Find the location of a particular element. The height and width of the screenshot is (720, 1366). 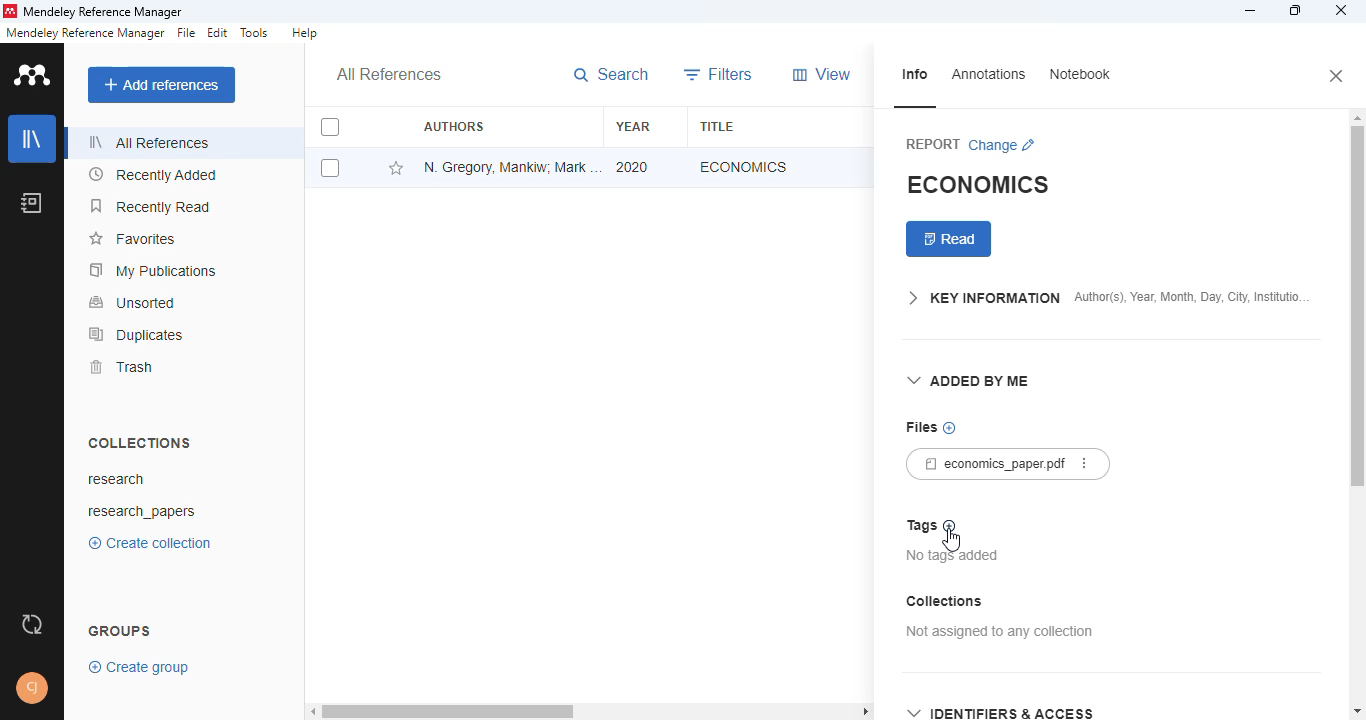

mendeley reference manager is located at coordinates (103, 11).